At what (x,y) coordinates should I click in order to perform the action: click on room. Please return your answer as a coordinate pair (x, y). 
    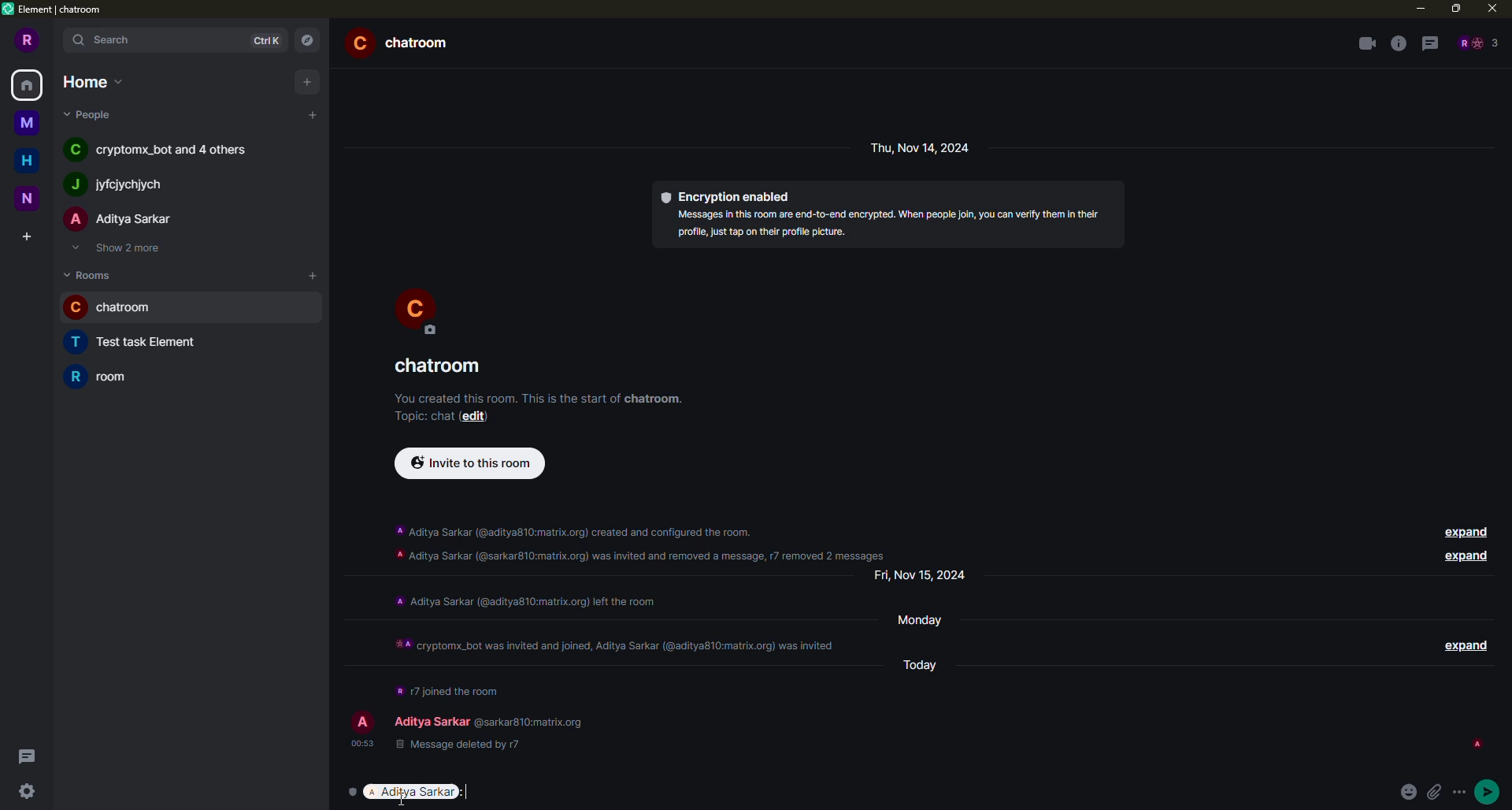
    Looking at the image, I should click on (118, 308).